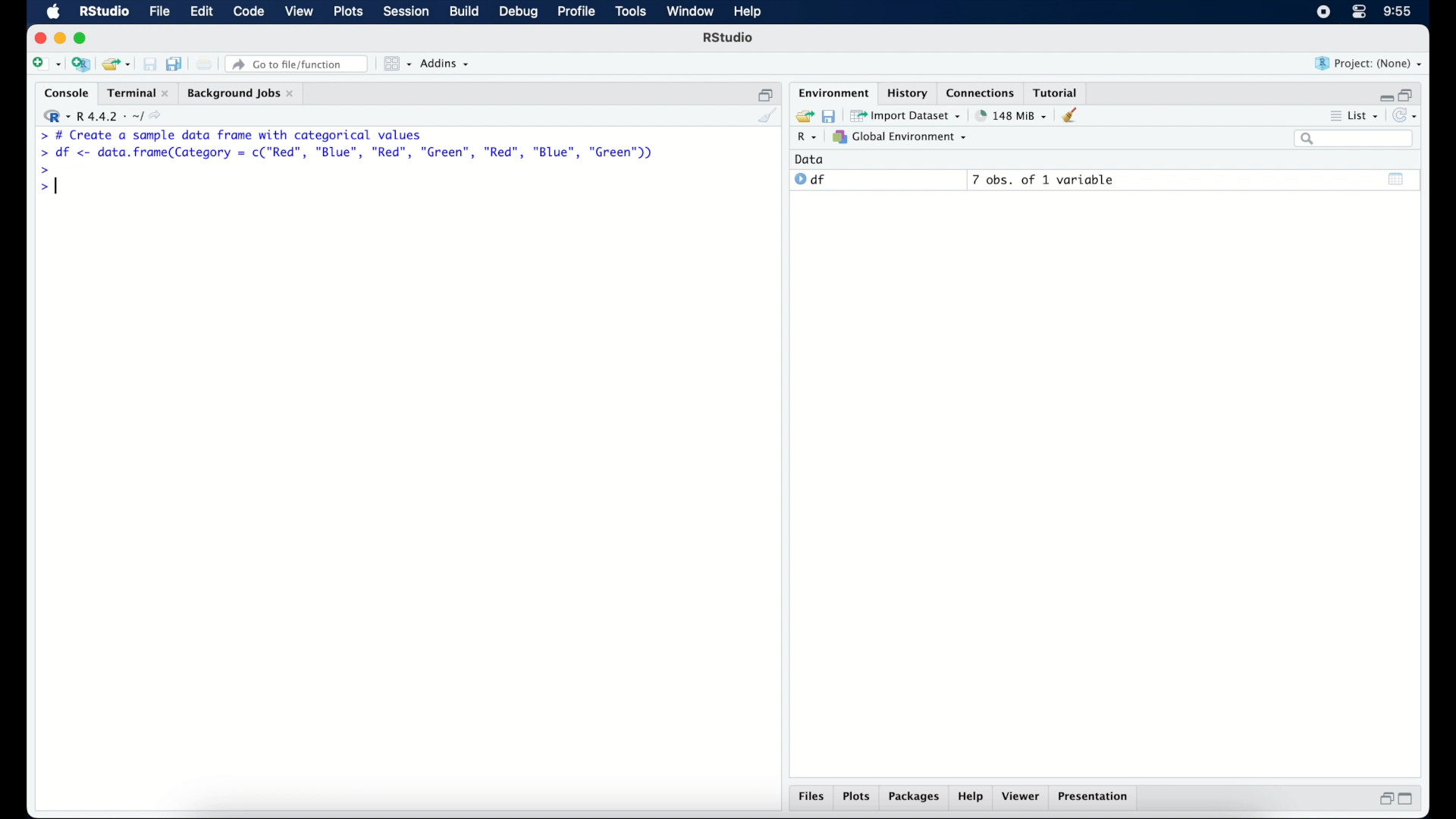  I want to click on workspace panes, so click(397, 64).